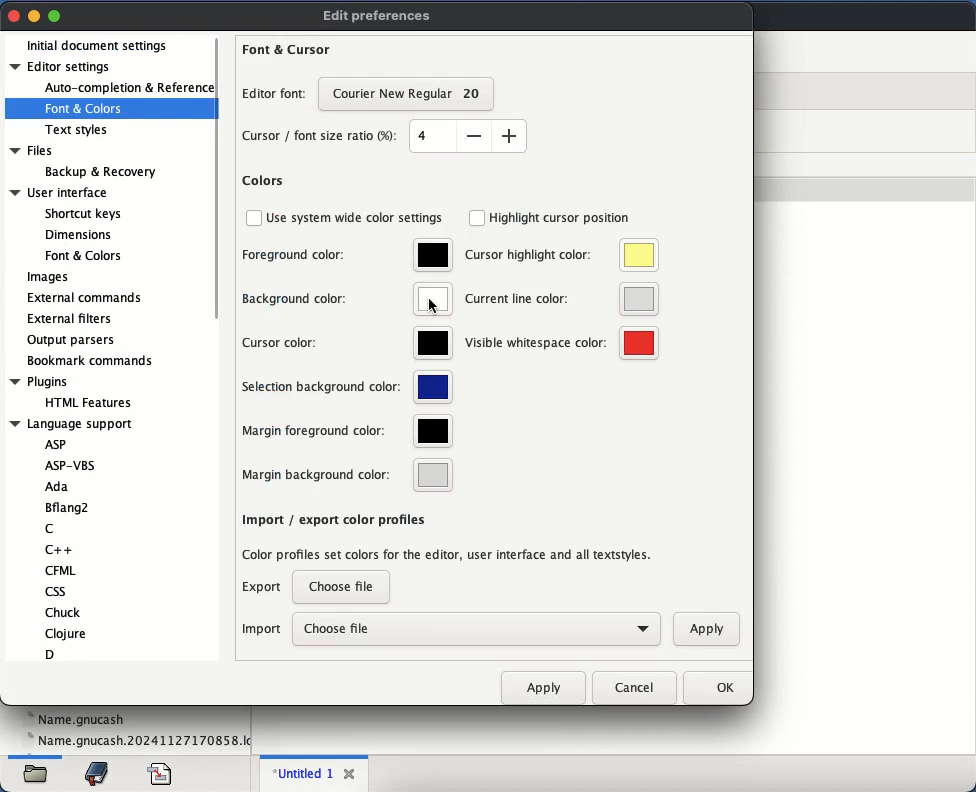 This screenshot has height=792, width=976. What do you see at coordinates (263, 182) in the screenshot?
I see `colors` at bounding box center [263, 182].